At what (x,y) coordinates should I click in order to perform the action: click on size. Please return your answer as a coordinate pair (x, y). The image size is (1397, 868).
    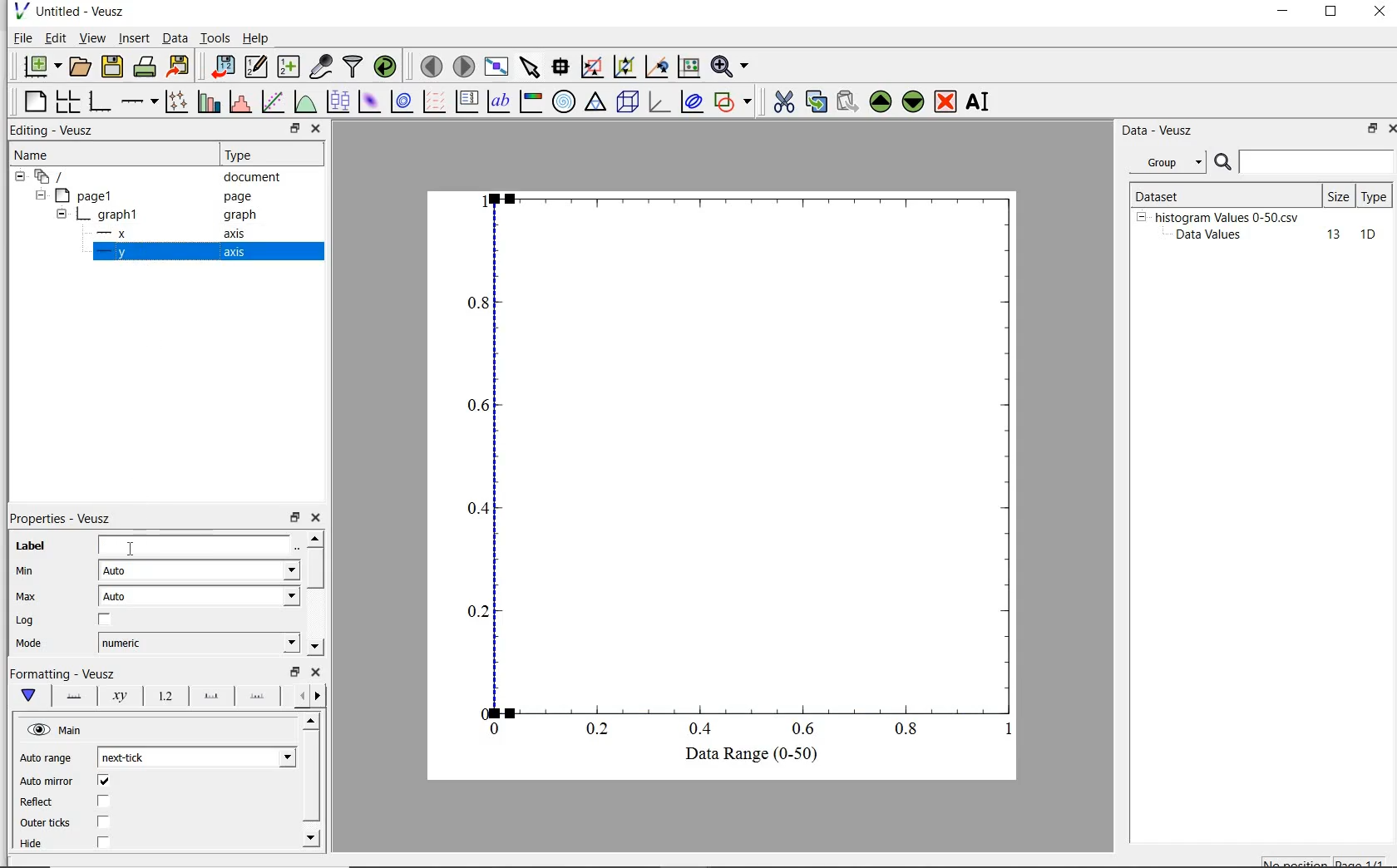
    Looking at the image, I should click on (1338, 196).